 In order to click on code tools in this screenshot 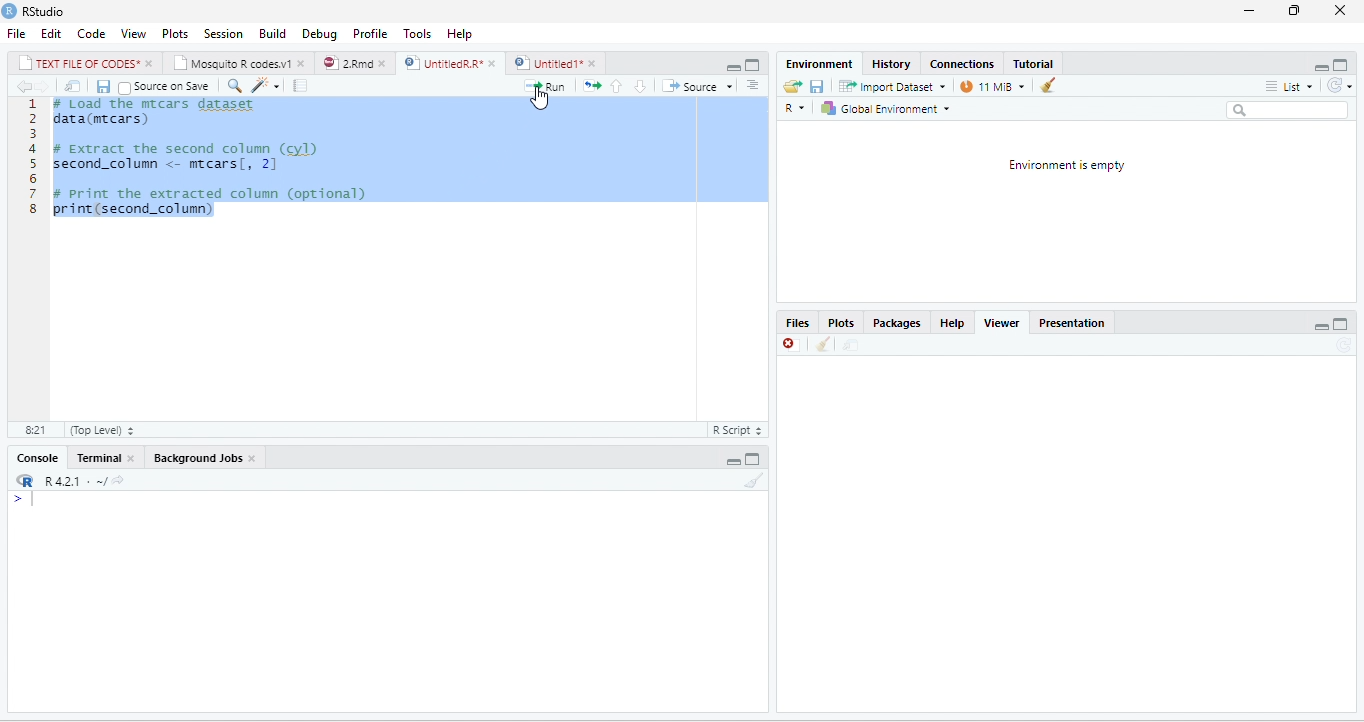, I will do `click(266, 85)`.